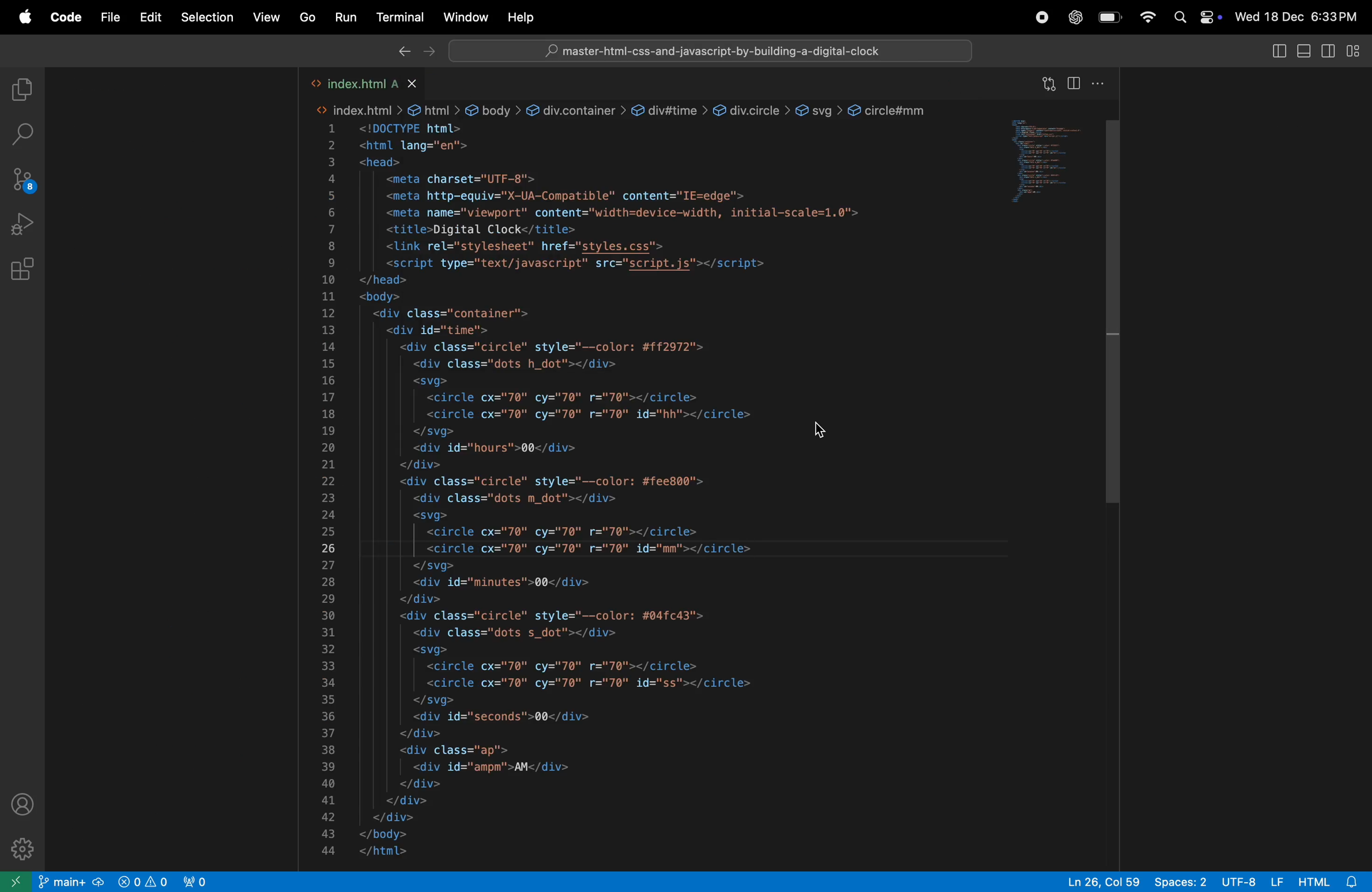 The width and height of the screenshot is (1372, 892). What do you see at coordinates (307, 18) in the screenshot?
I see `Go` at bounding box center [307, 18].